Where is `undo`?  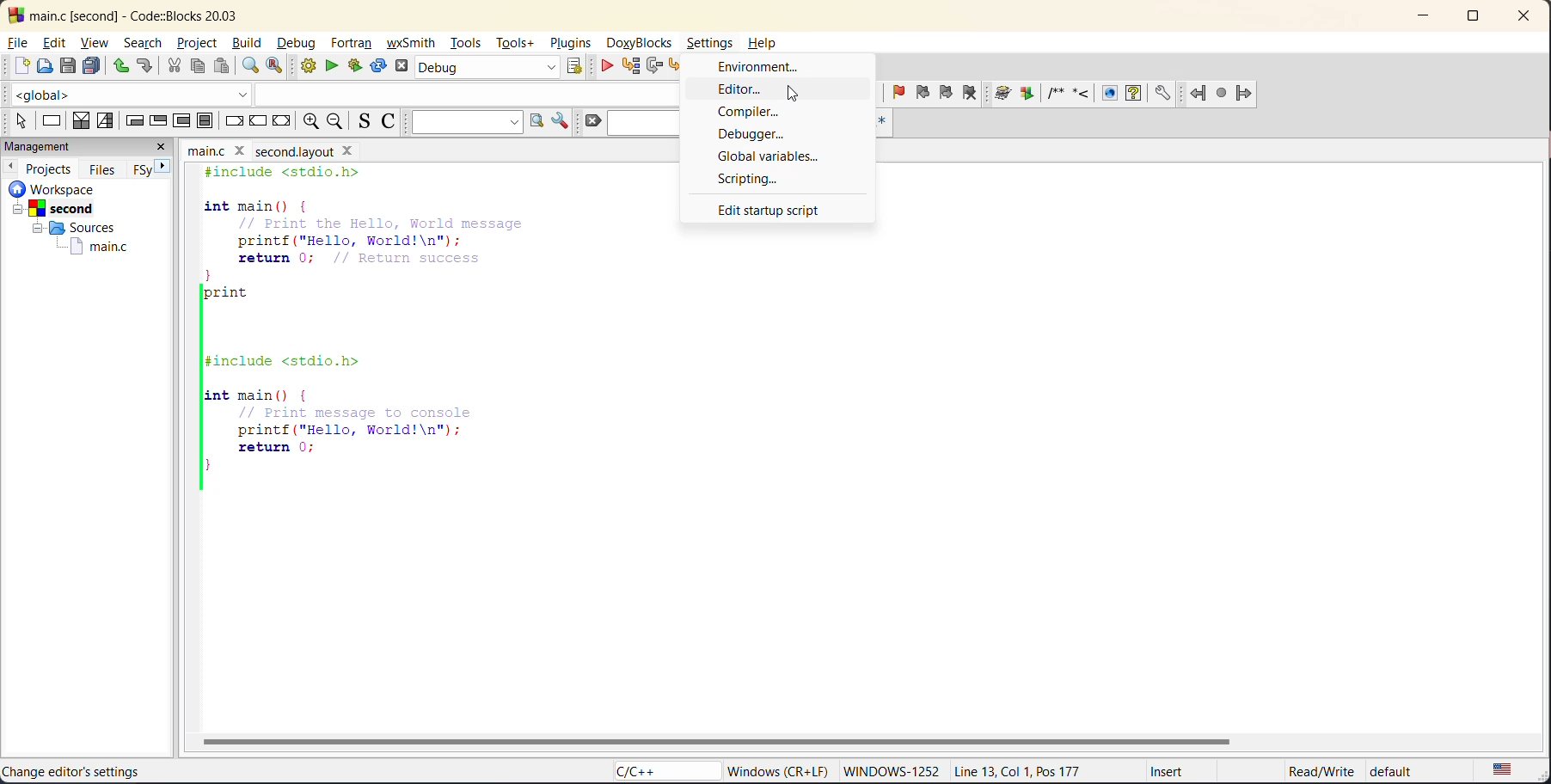 undo is located at coordinates (122, 65).